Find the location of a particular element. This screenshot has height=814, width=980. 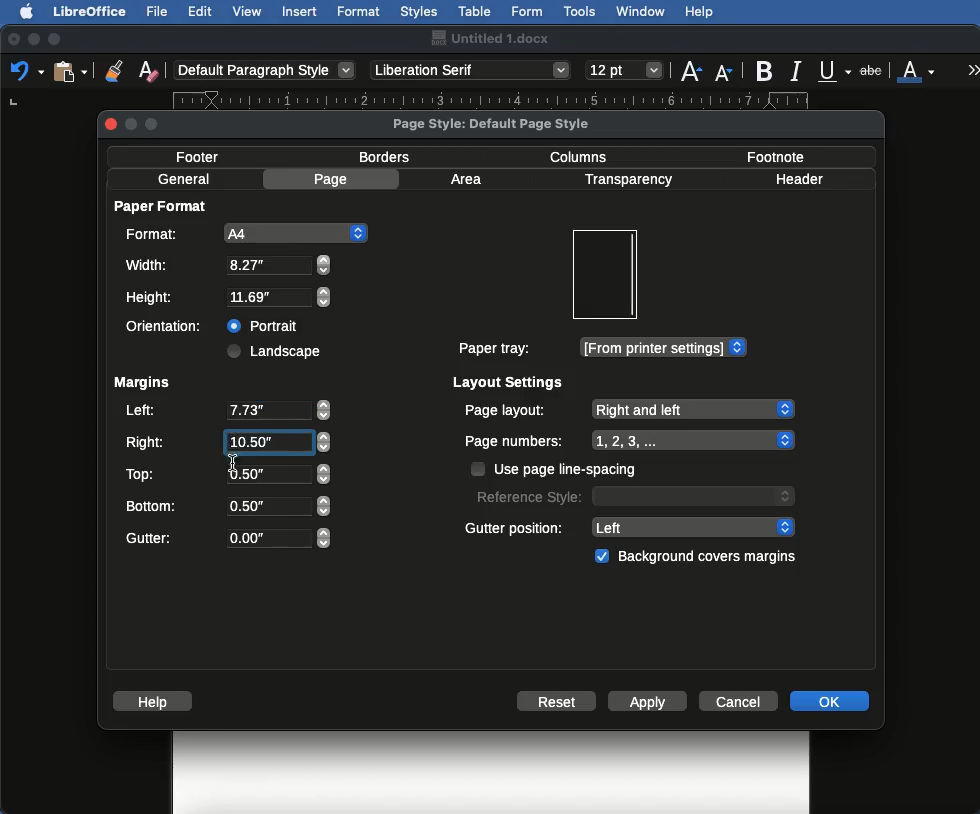

Underline is located at coordinates (836, 72).